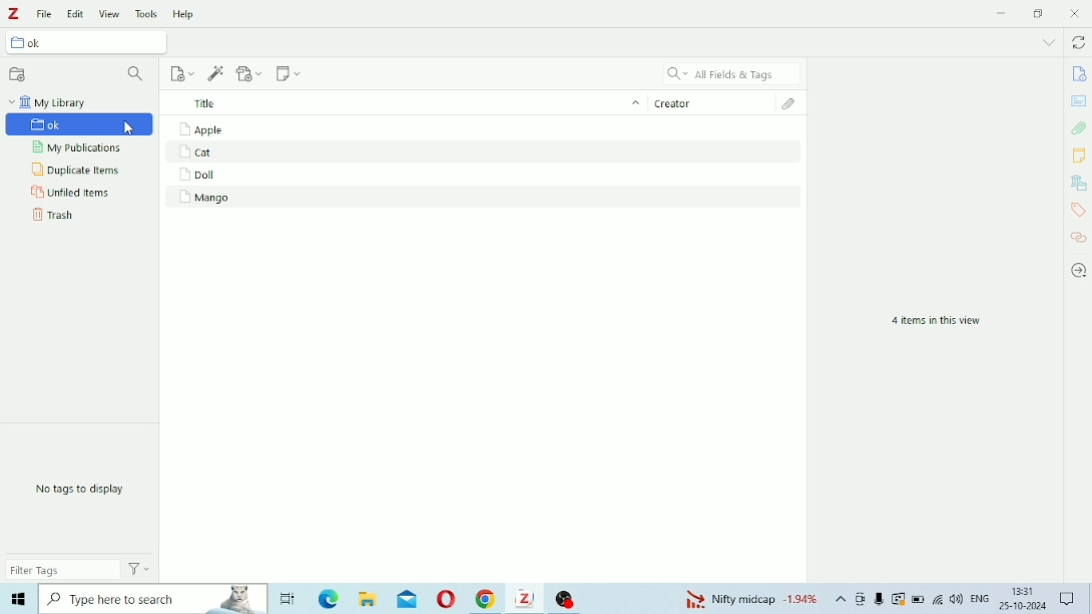  I want to click on 25-10-2024, so click(1023, 606).